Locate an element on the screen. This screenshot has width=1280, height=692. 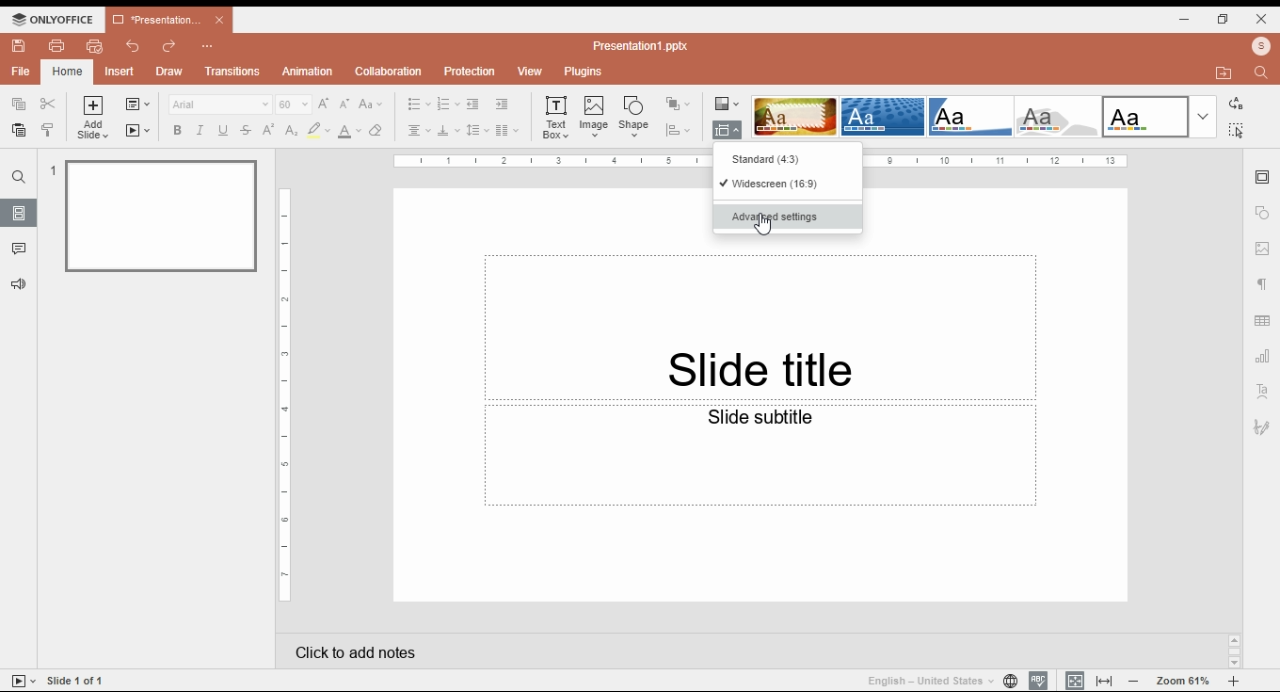
zoom out is located at coordinates (1134, 680).